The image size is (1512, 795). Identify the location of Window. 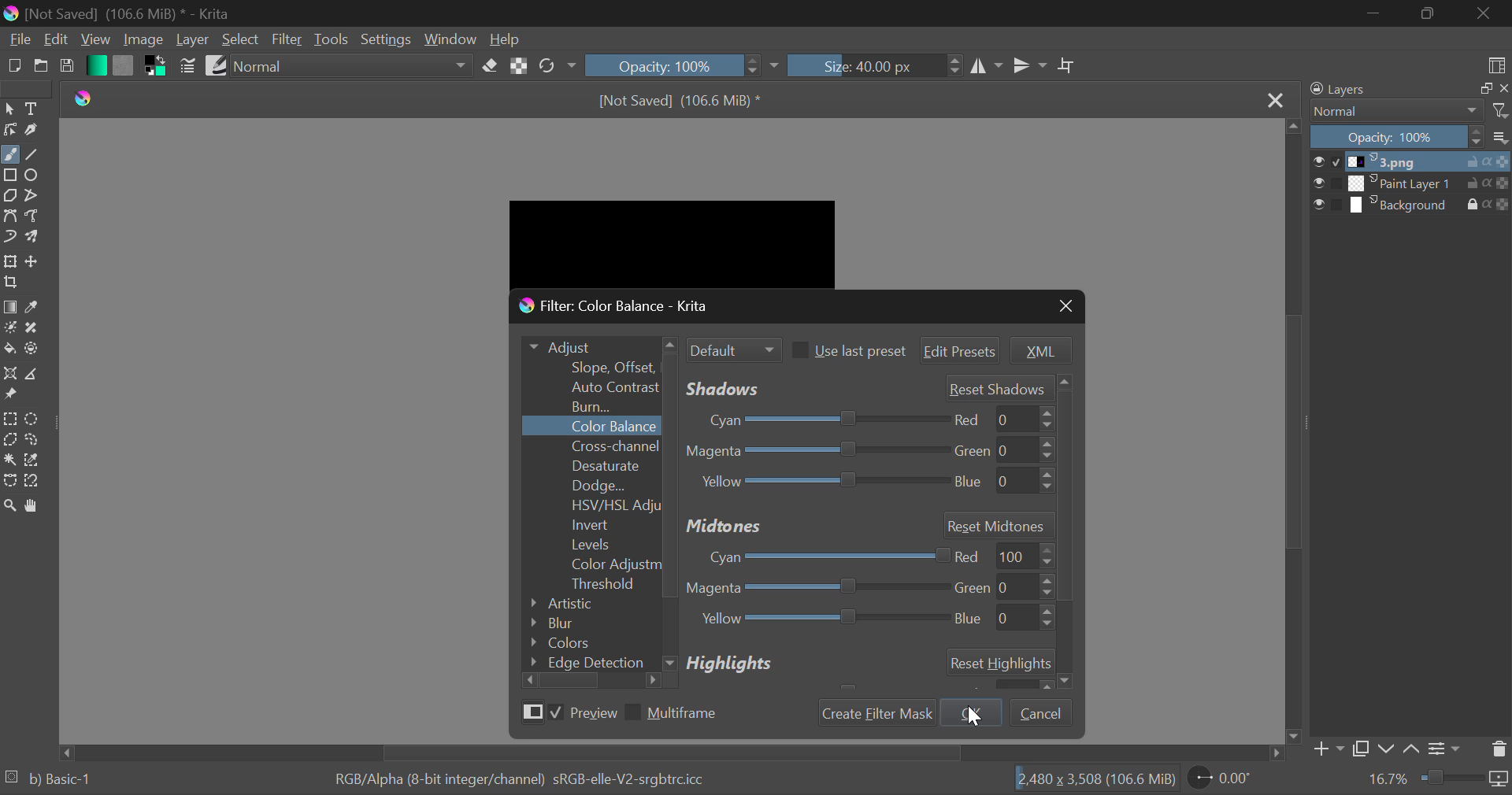
(450, 39).